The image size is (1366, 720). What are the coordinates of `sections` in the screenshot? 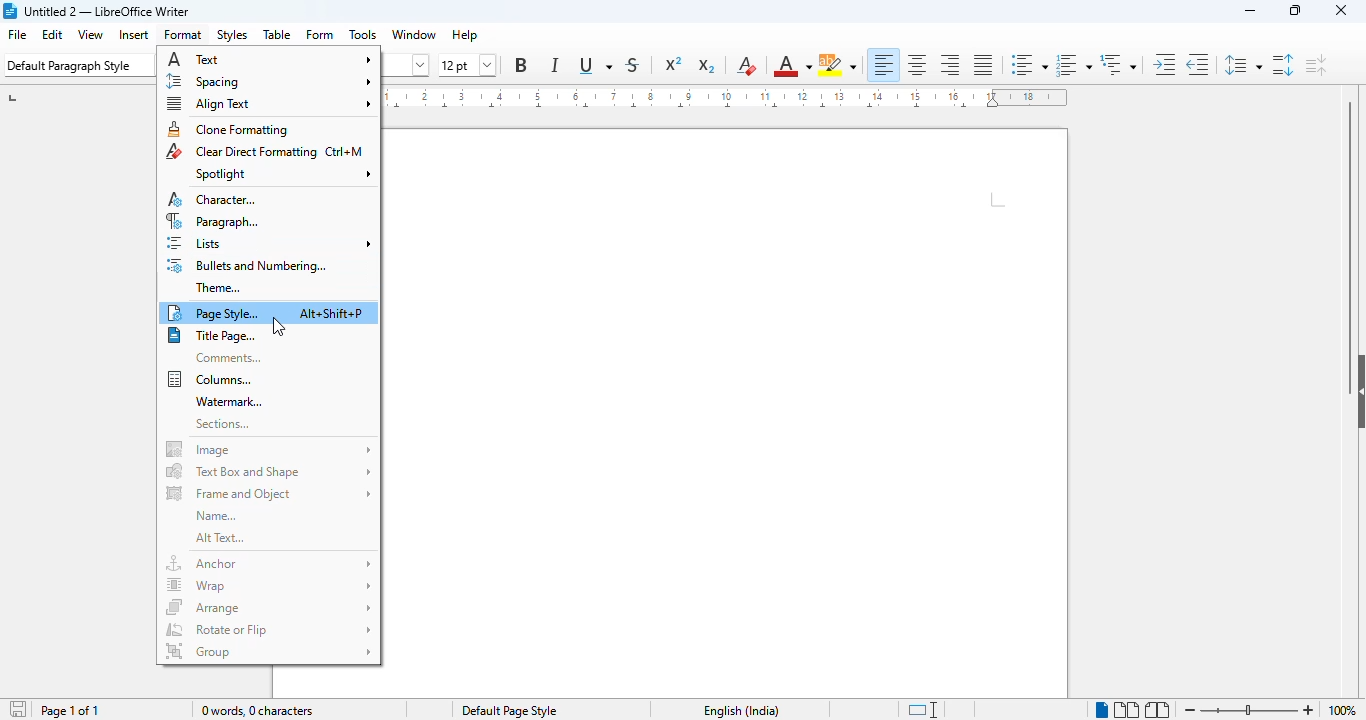 It's located at (223, 424).